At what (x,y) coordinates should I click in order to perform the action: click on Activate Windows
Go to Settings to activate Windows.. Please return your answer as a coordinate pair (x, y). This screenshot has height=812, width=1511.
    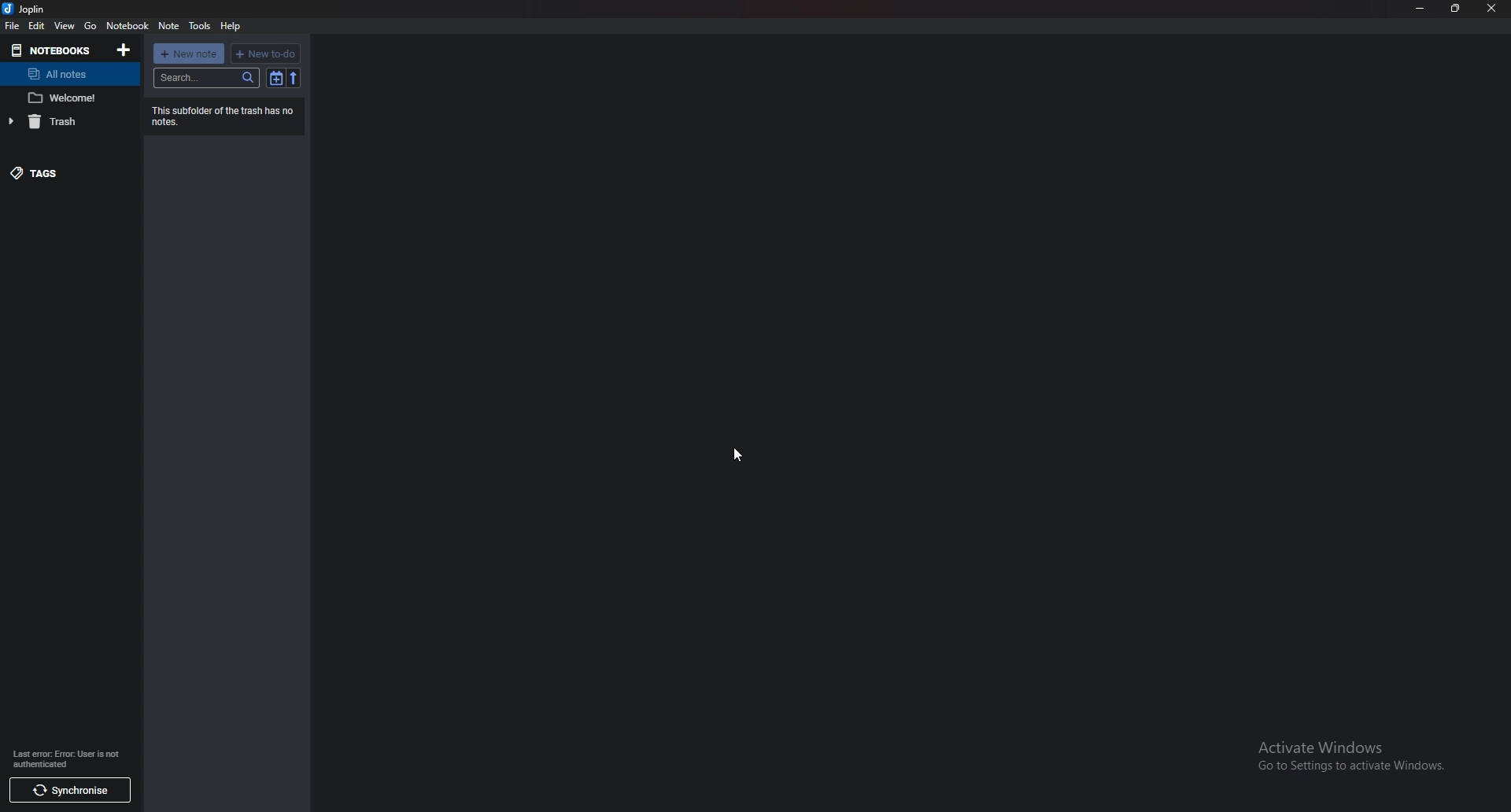
    Looking at the image, I should click on (1351, 758).